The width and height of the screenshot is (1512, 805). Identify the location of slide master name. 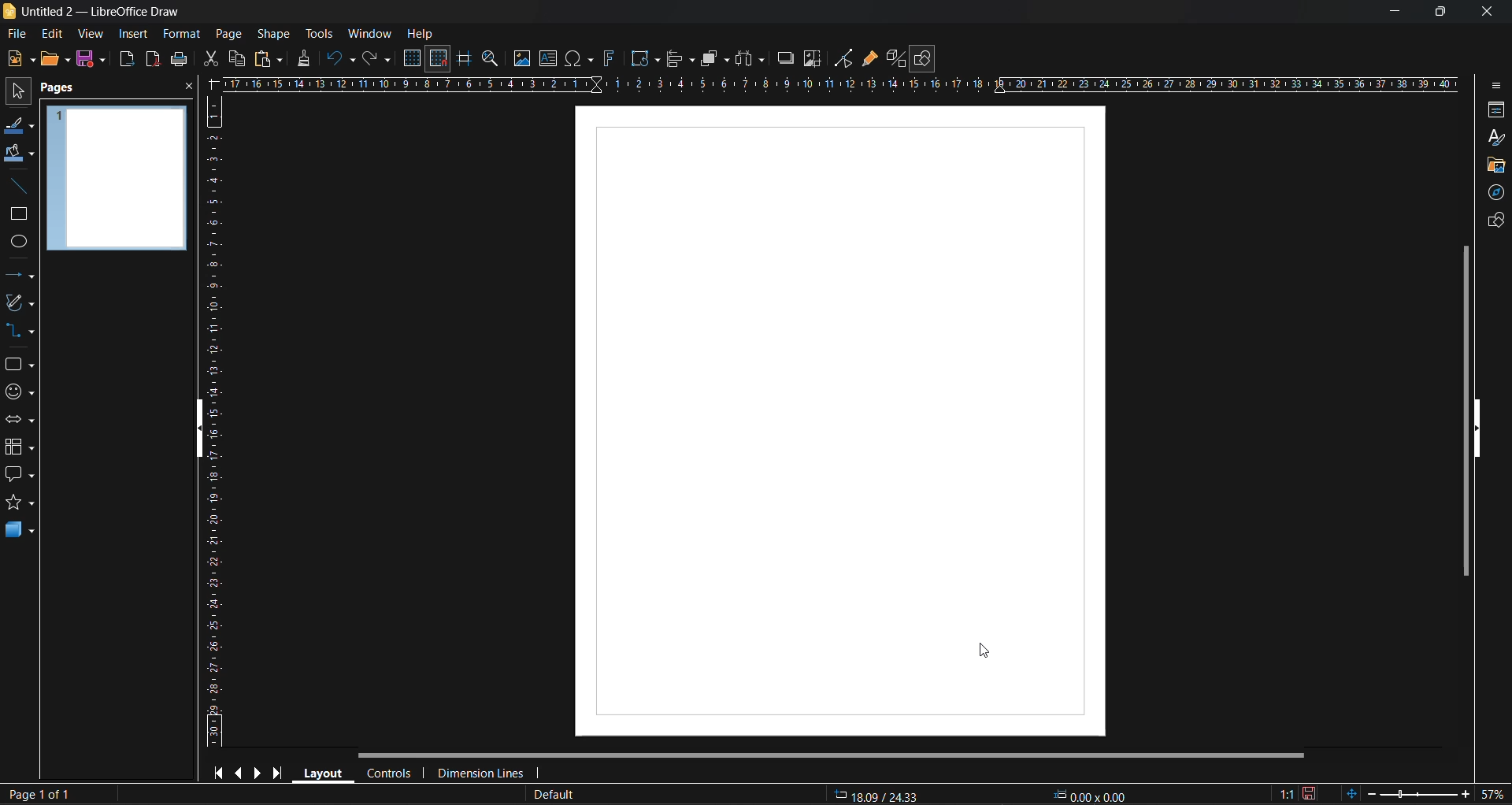
(558, 795).